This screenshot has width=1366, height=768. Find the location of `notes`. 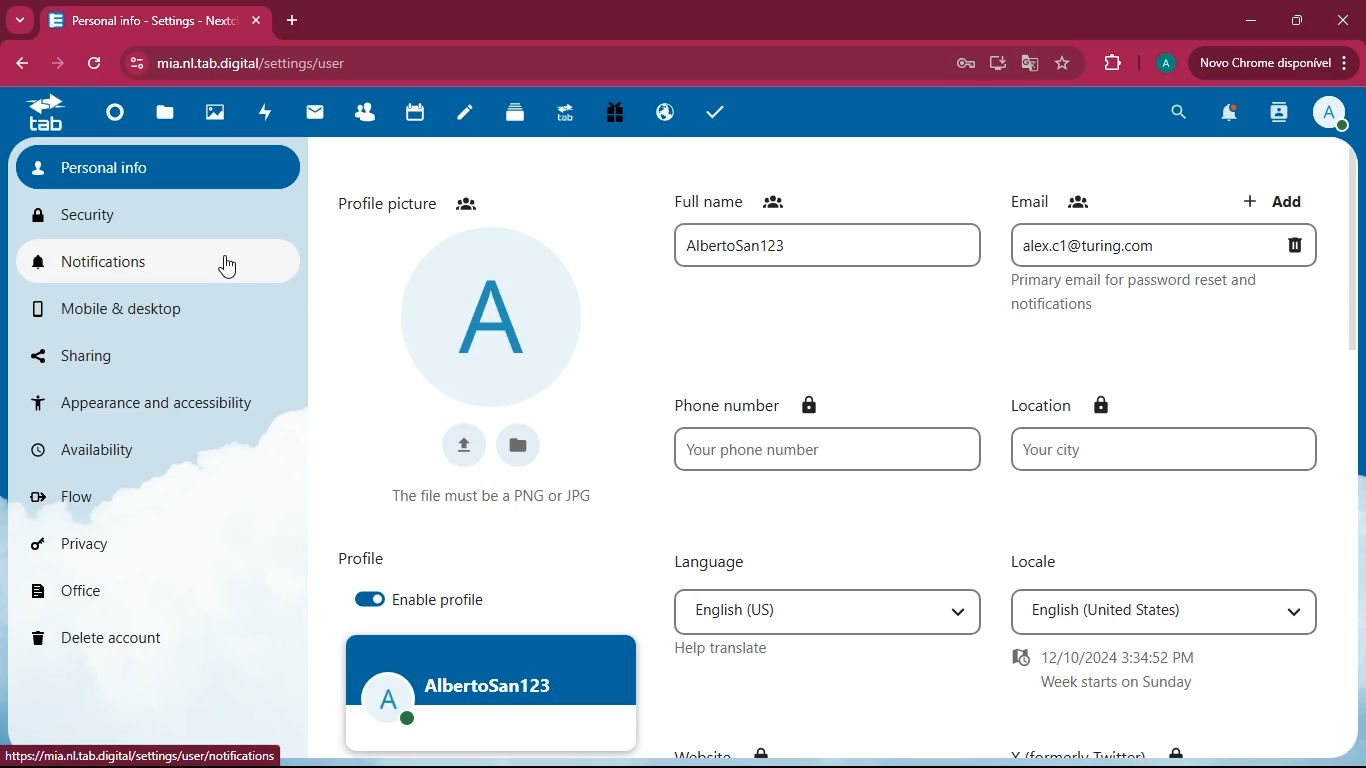

notes is located at coordinates (458, 115).